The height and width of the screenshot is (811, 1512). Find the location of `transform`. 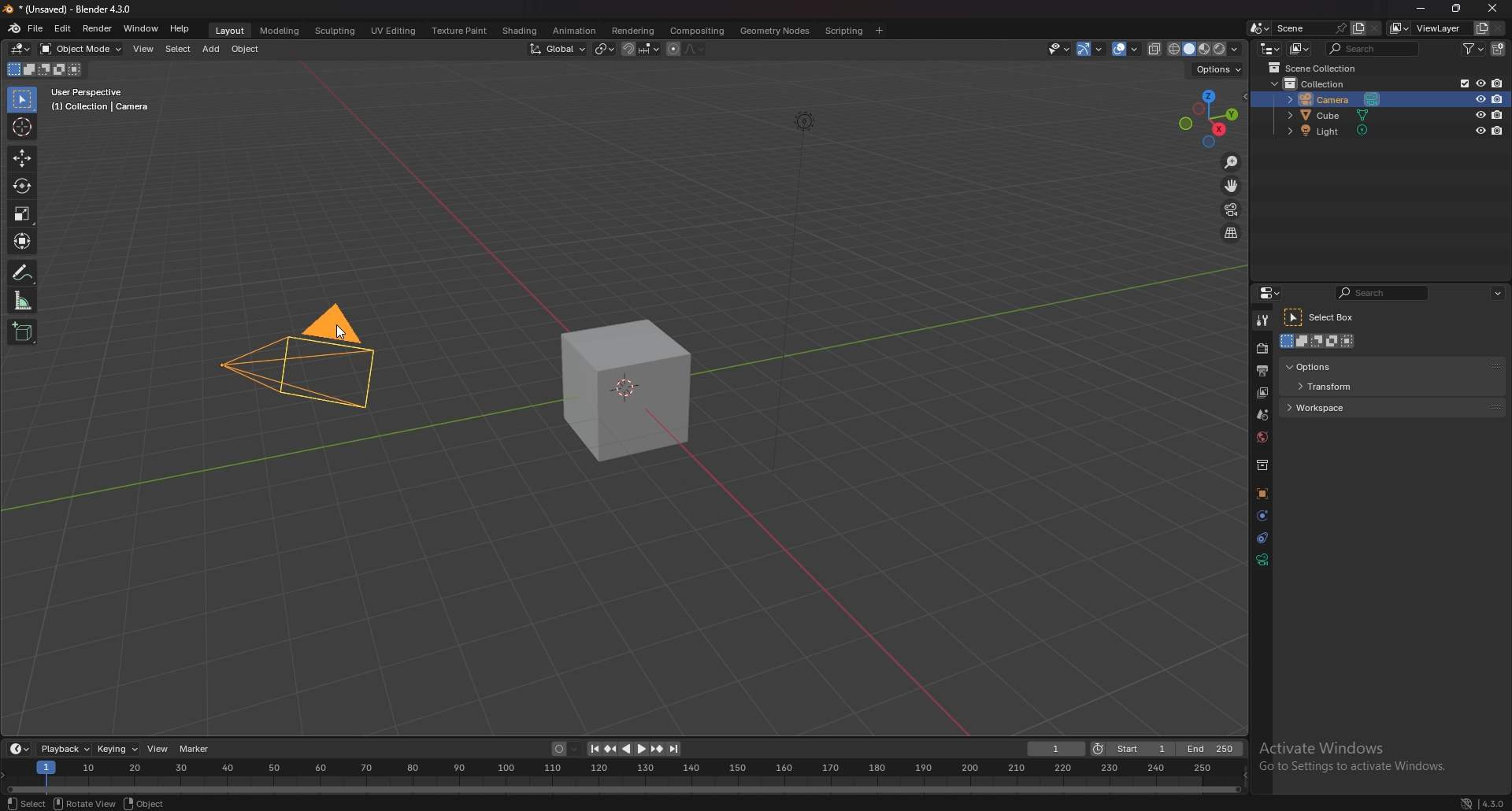

transform is located at coordinates (21, 239).